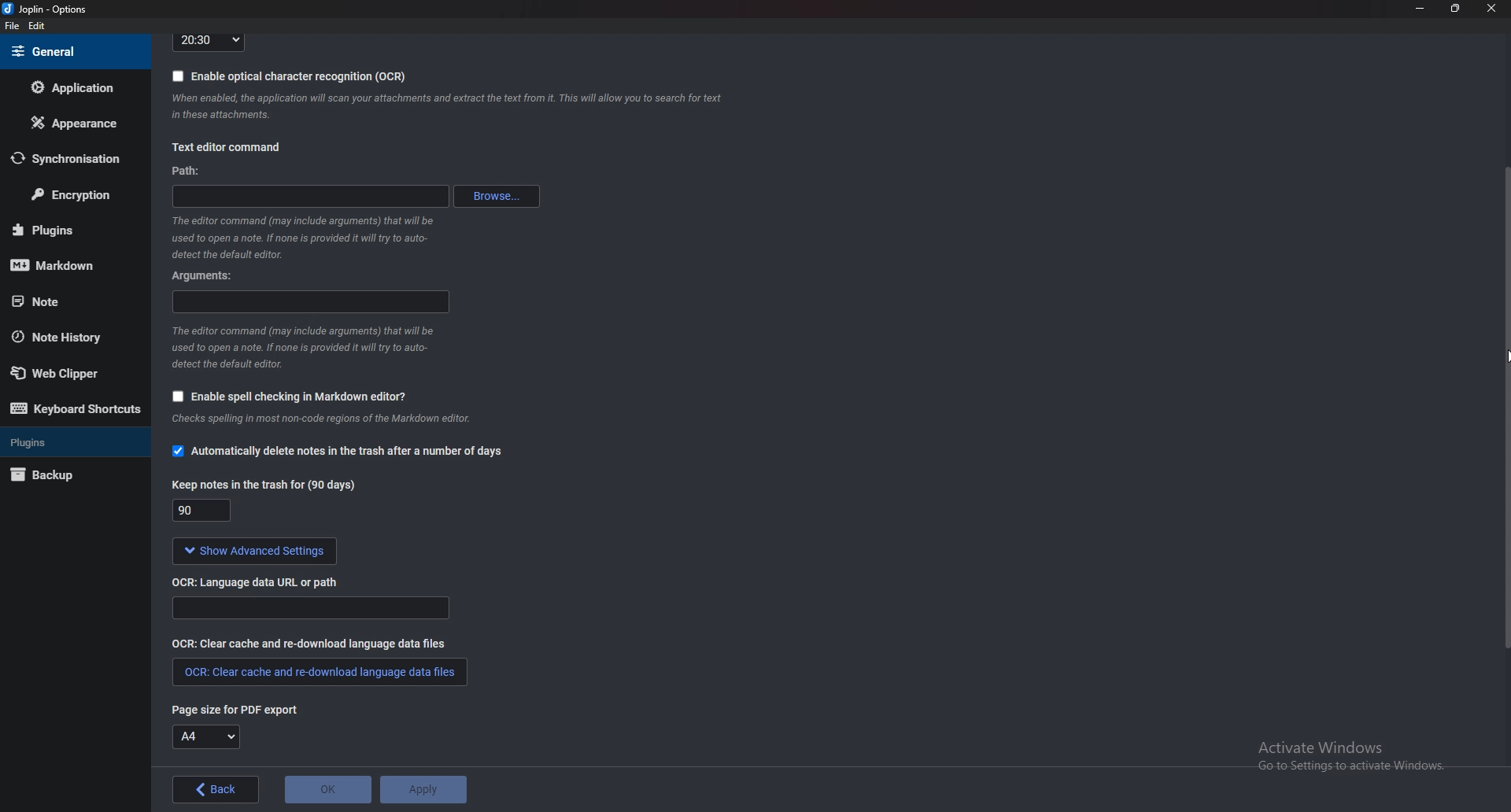  Describe the element at coordinates (72, 51) in the screenshot. I see `general` at that location.